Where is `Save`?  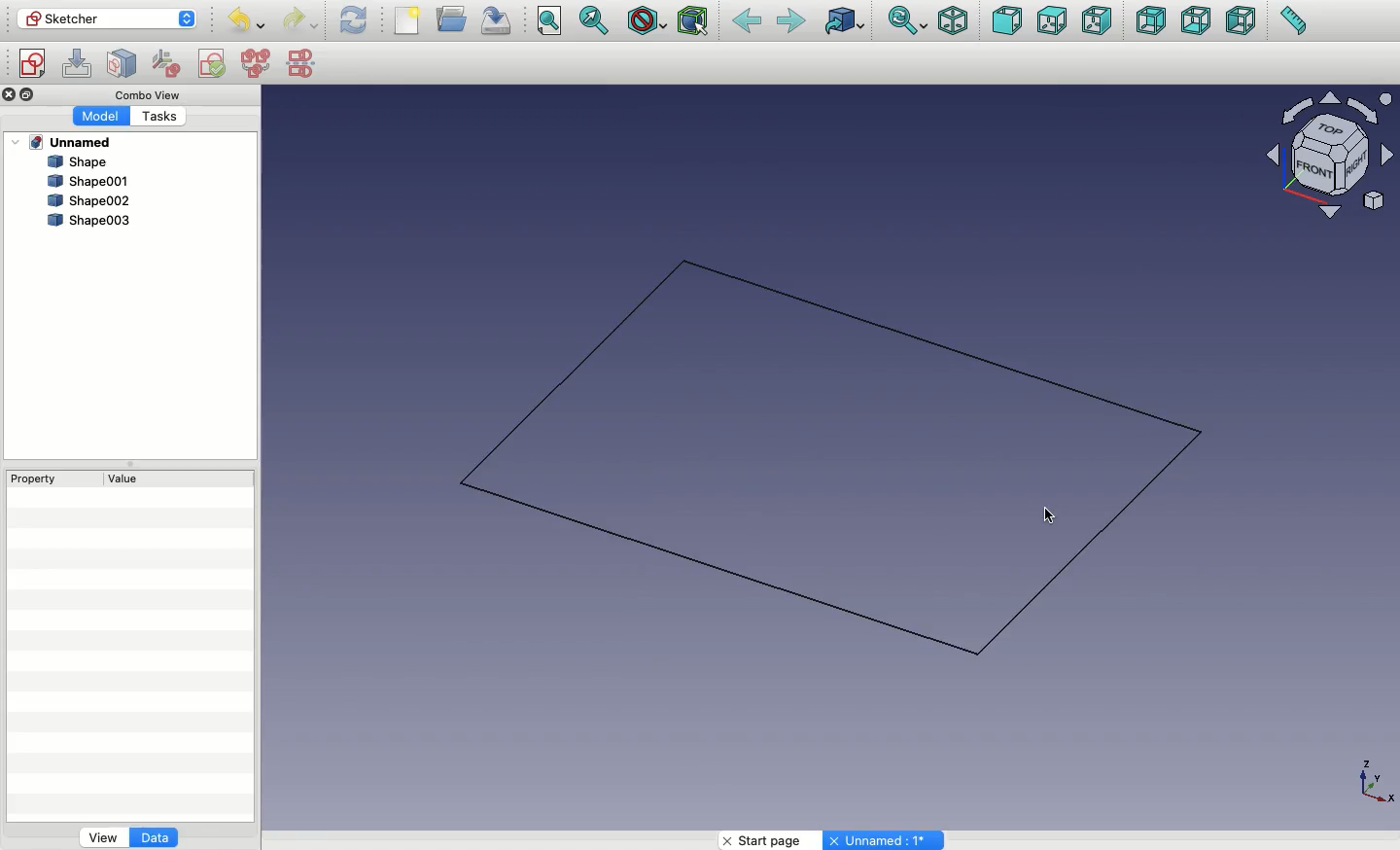
Save is located at coordinates (496, 19).